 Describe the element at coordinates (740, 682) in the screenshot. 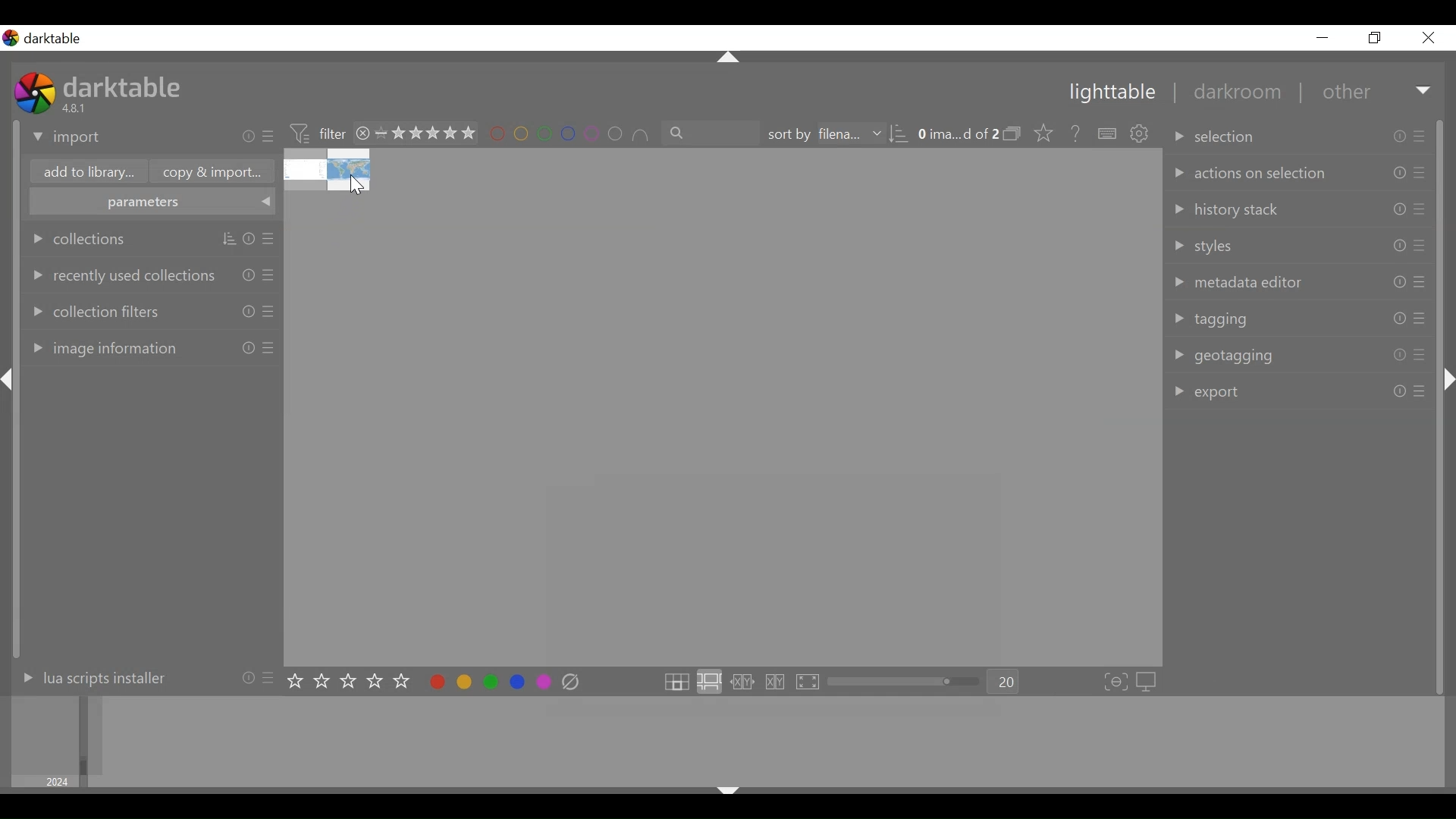

I see `click to enter culling layout in fixed mode` at that location.